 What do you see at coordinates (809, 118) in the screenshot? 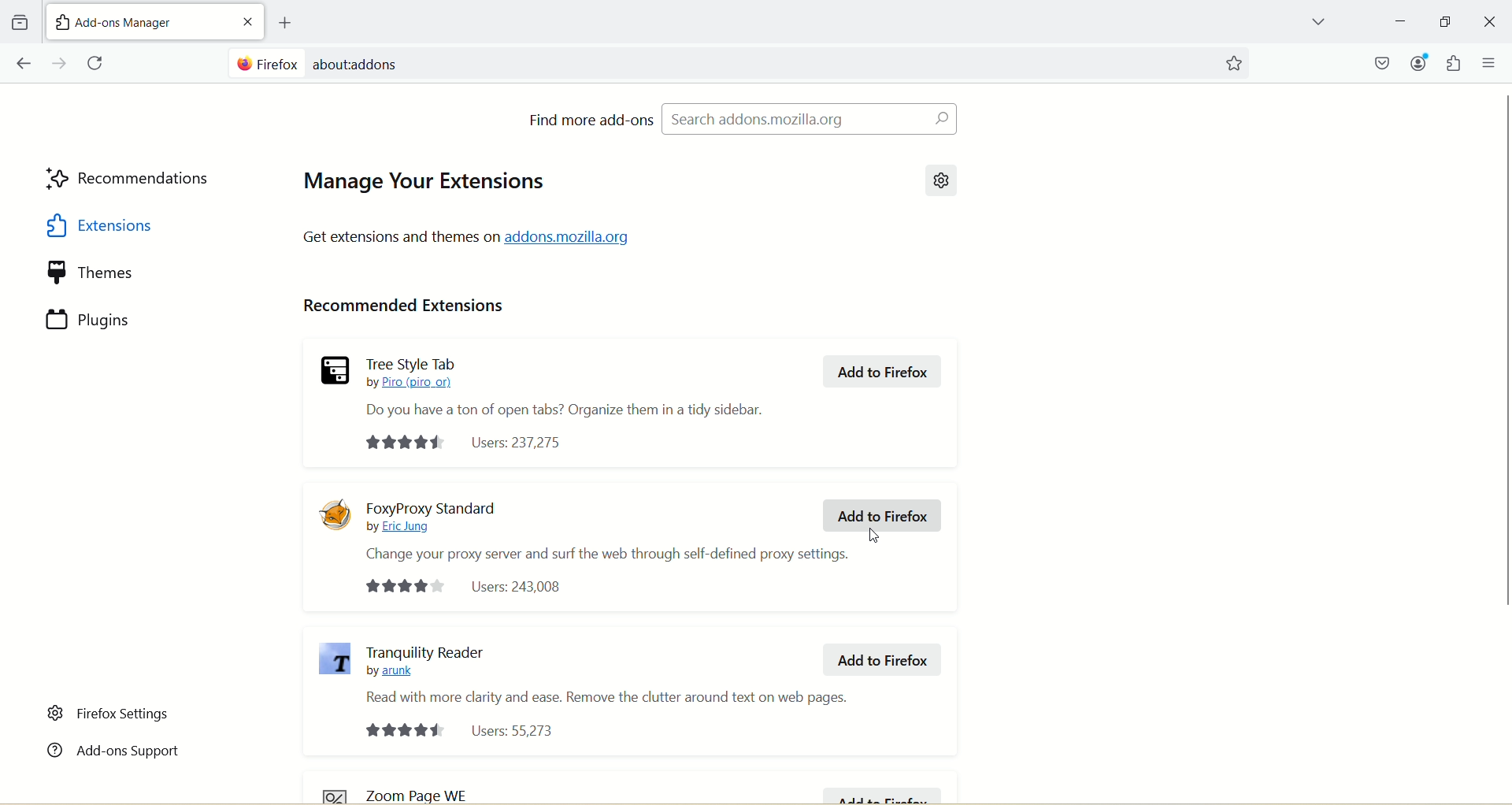
I see `Search Addons.Mozilla.org` at bounding box center [809, 118].